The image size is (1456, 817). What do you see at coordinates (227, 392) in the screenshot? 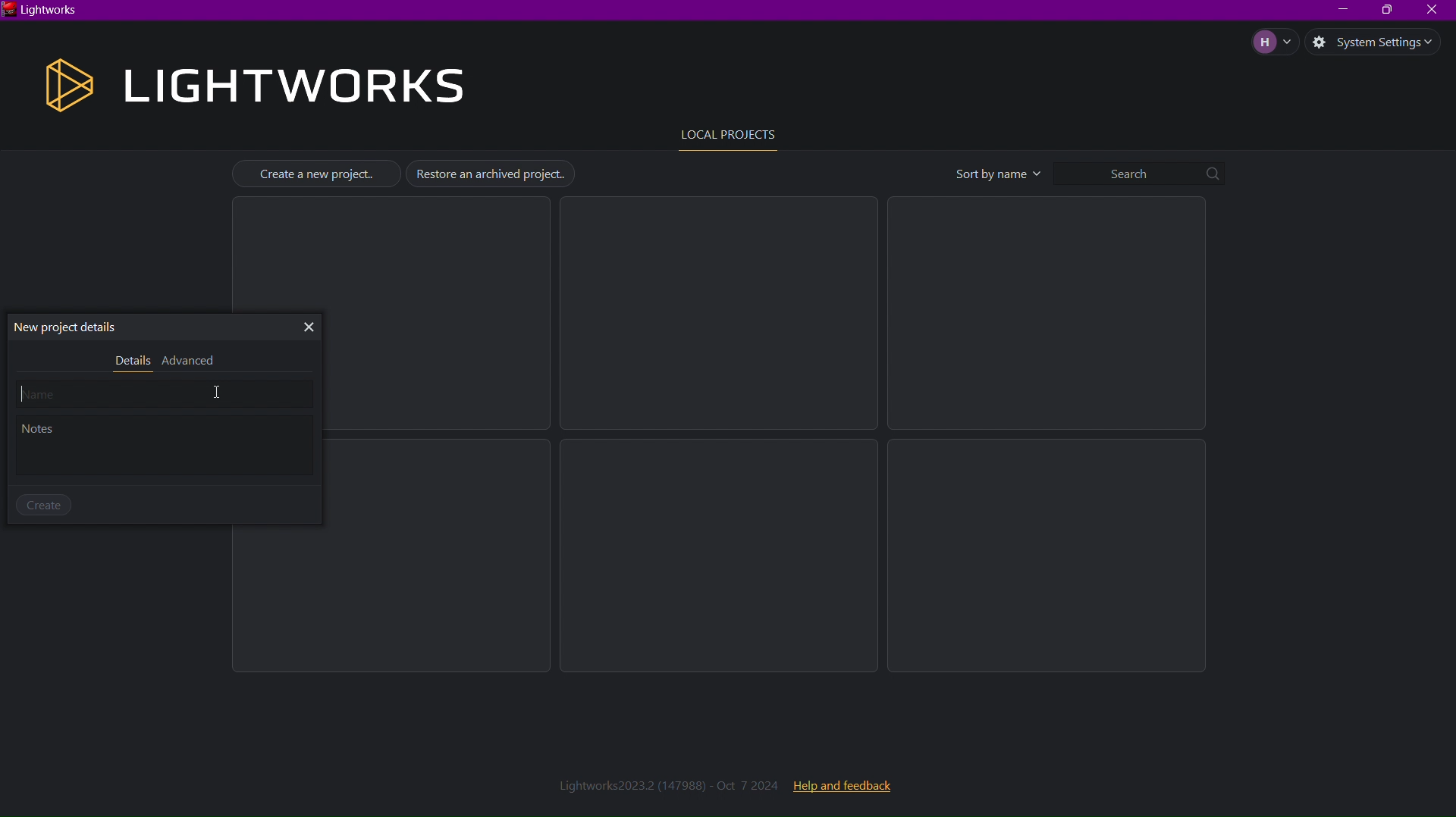
I see `cursor` at bounding box center [227, 392].